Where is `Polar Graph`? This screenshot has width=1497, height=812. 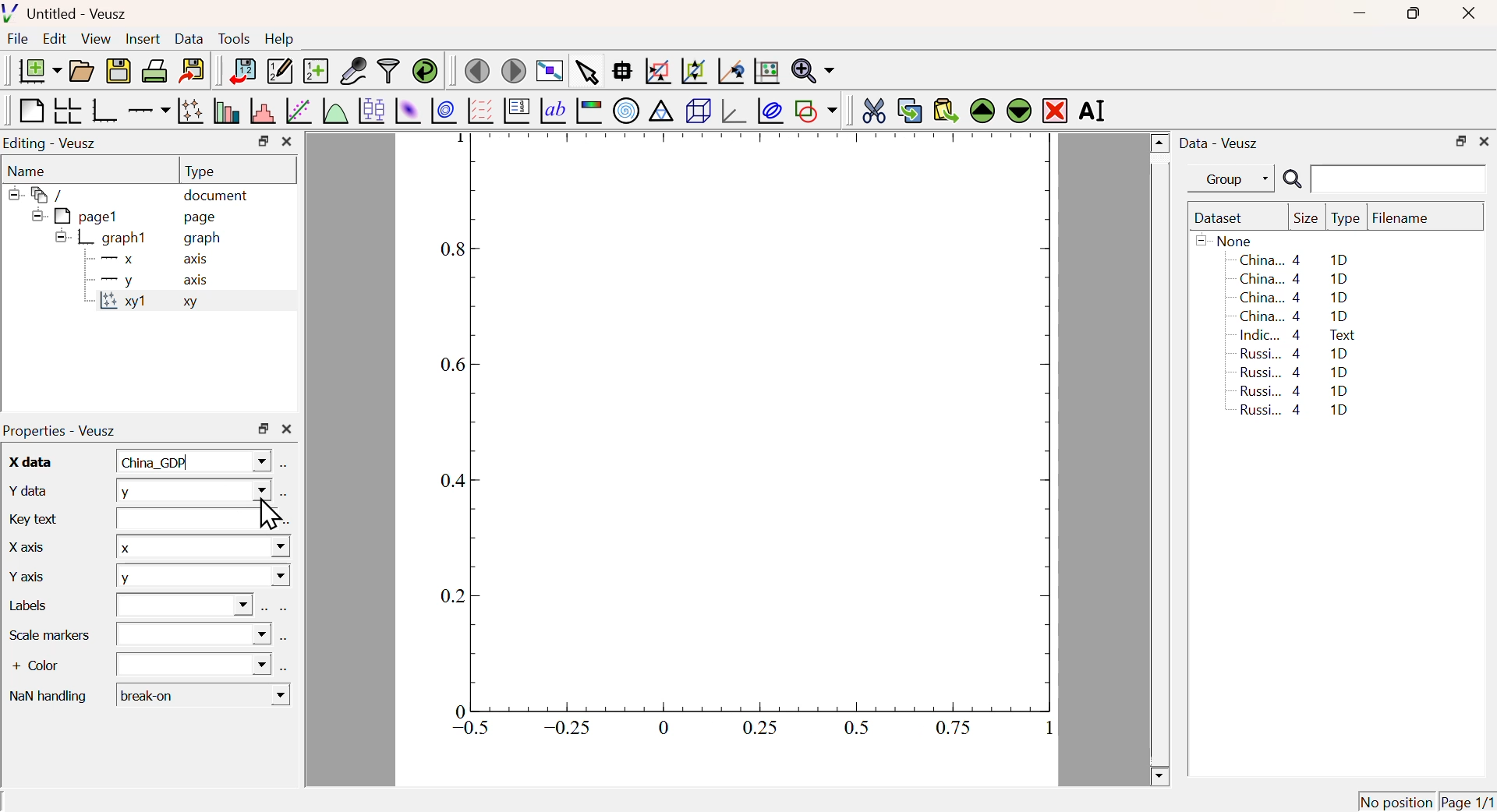
Polar Graph is located at coordinates (627, 110).